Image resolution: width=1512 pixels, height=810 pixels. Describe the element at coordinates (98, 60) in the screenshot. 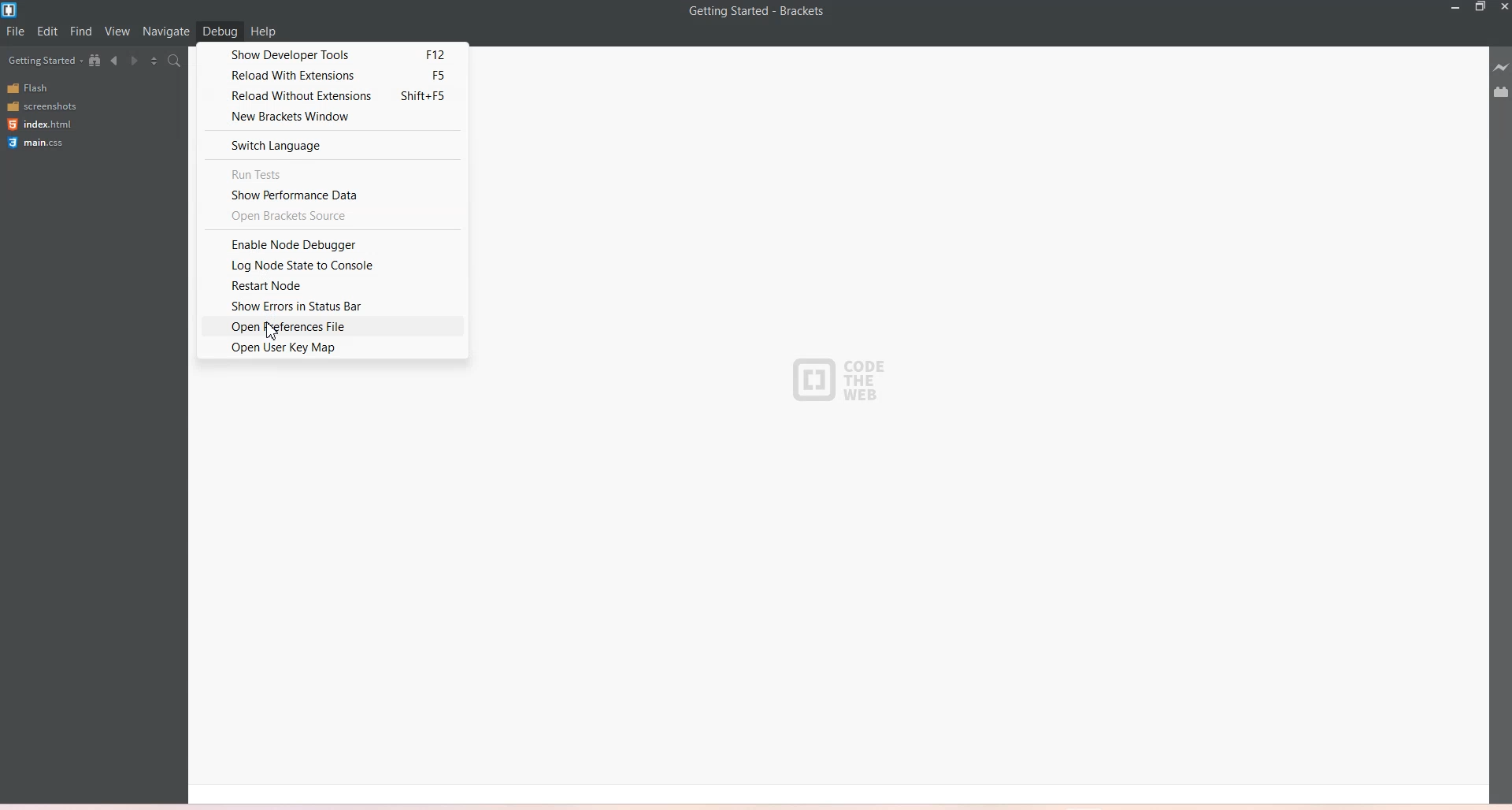

I see `Show in file tree` at that location.